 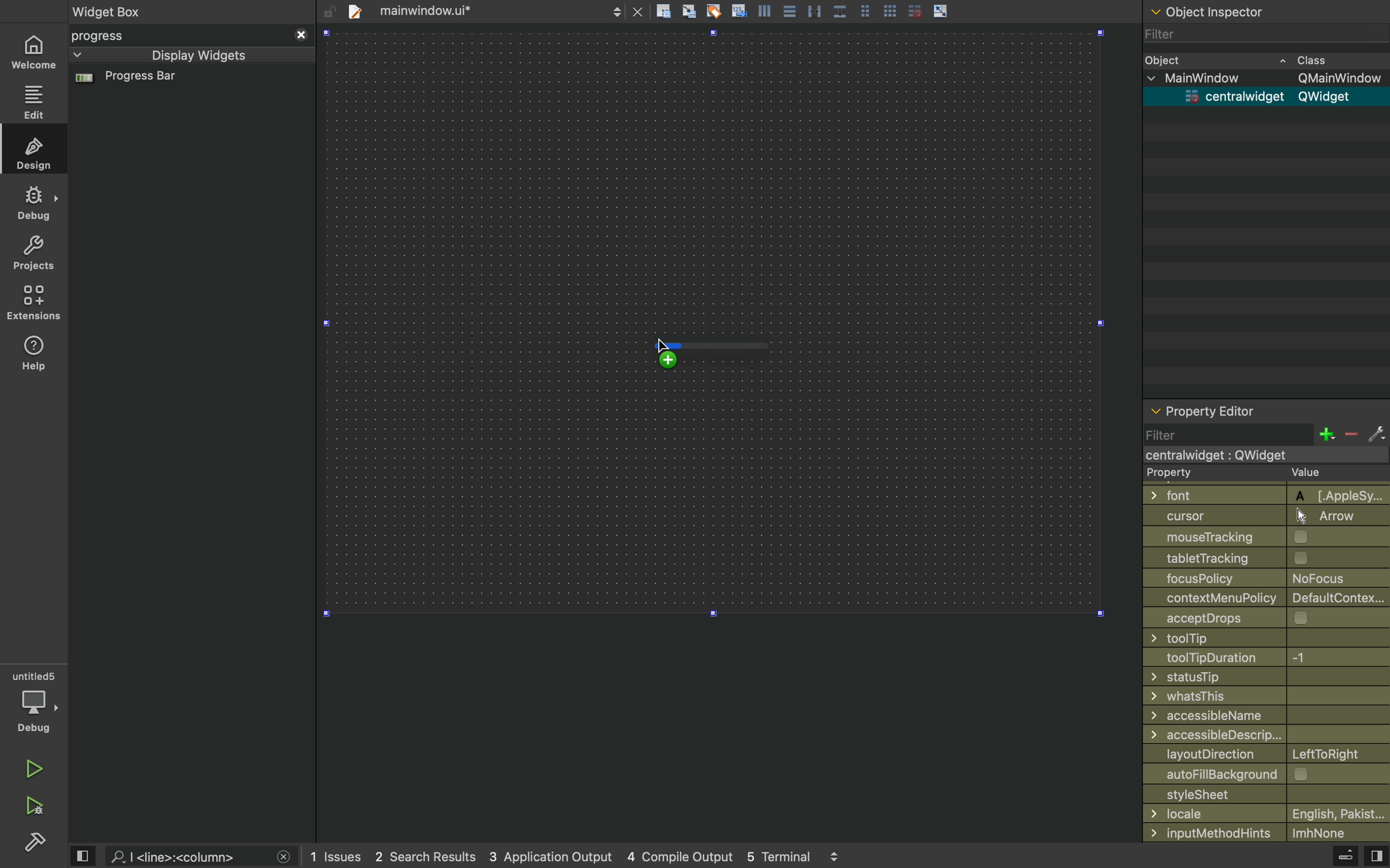 What do you see at coordinates (35, 202) in the screenshot?
I see `debug` at bounding box center [35, 202].